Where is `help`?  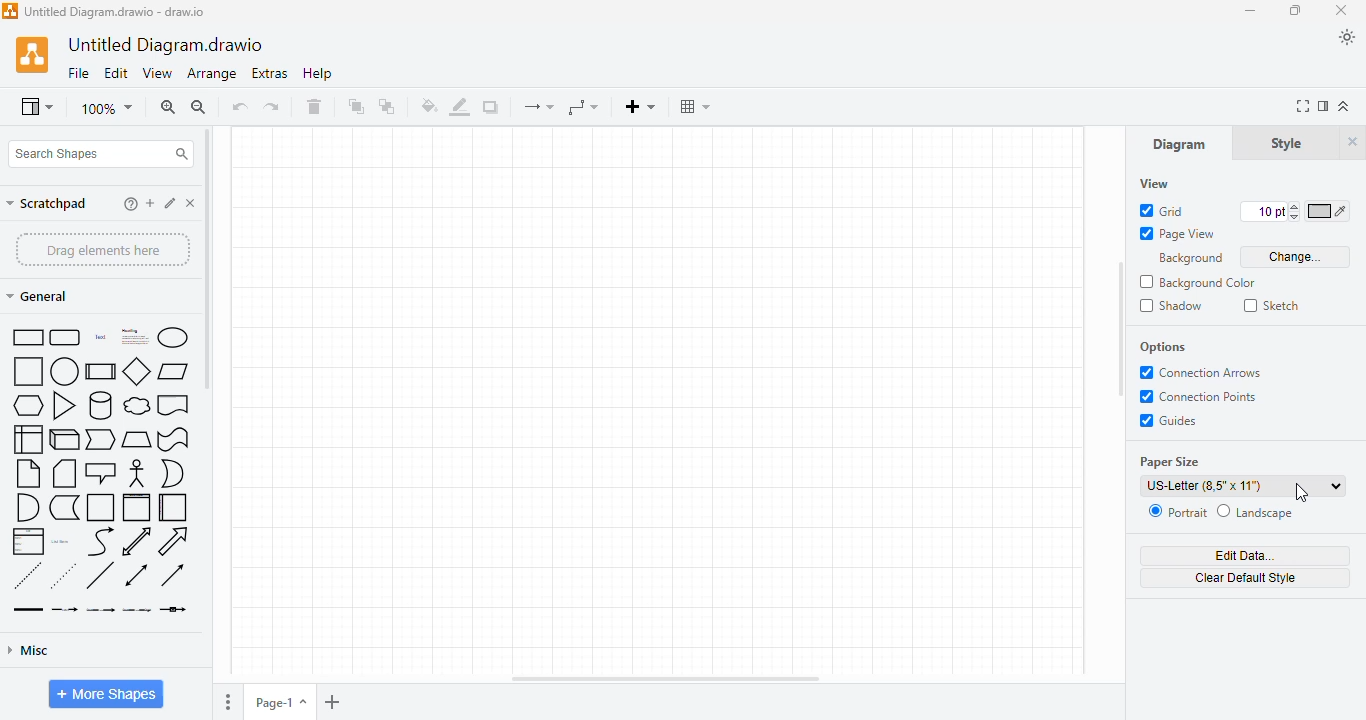
help is located at coordinates (318, 73).